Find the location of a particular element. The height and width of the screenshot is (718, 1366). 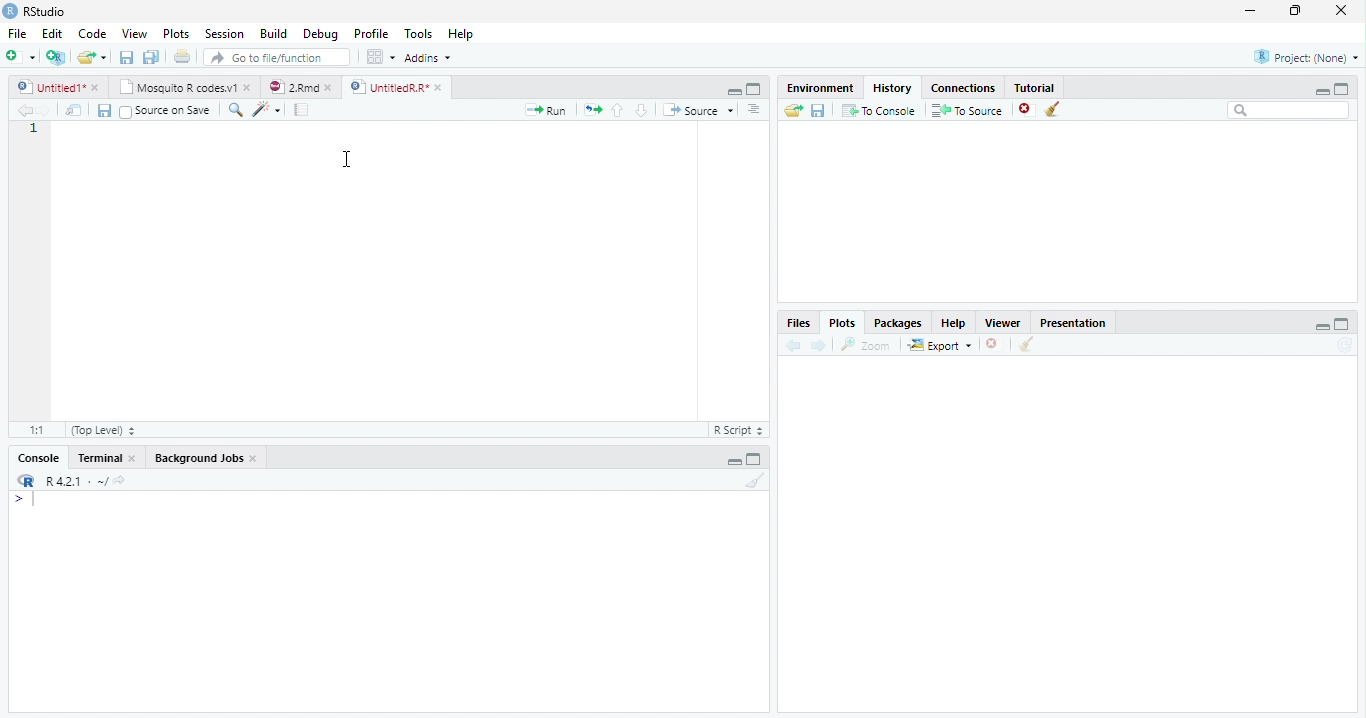

Presentation is located at coordinates (1073, 323).